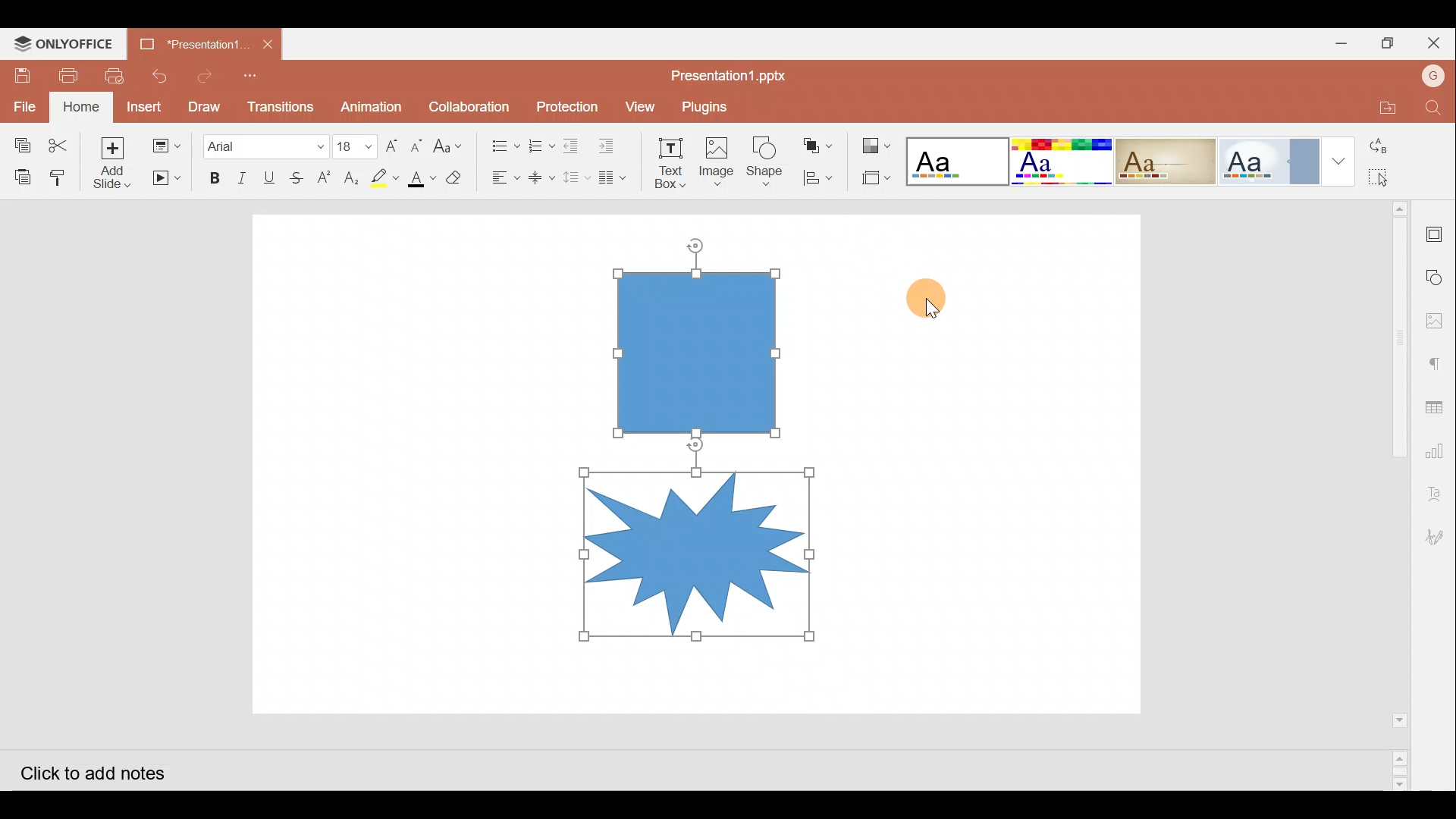 This screenshot has height=819, width=1456. Describe the element at coordinates (452, 145) in the screenshot. I see `Change case` at that location.